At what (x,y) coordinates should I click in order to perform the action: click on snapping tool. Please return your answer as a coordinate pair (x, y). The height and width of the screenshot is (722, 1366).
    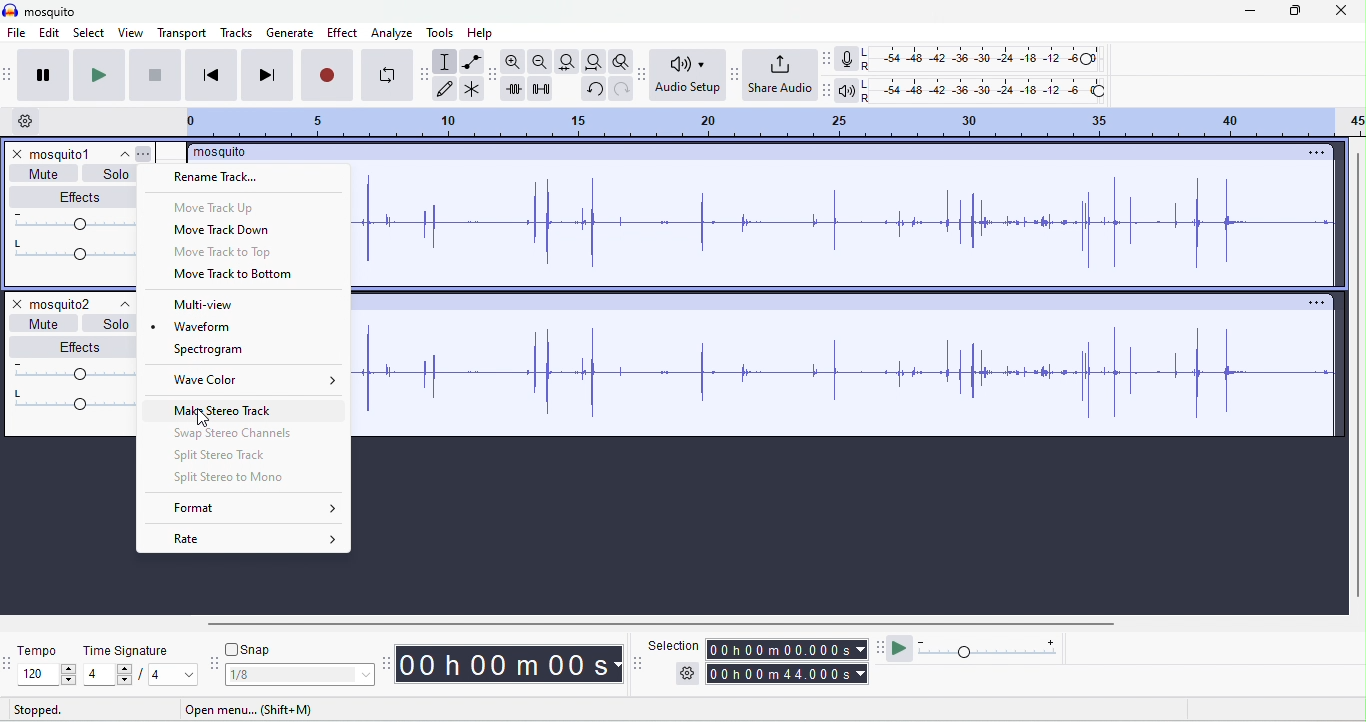
    Looking at the image, I should click on (214, 662).